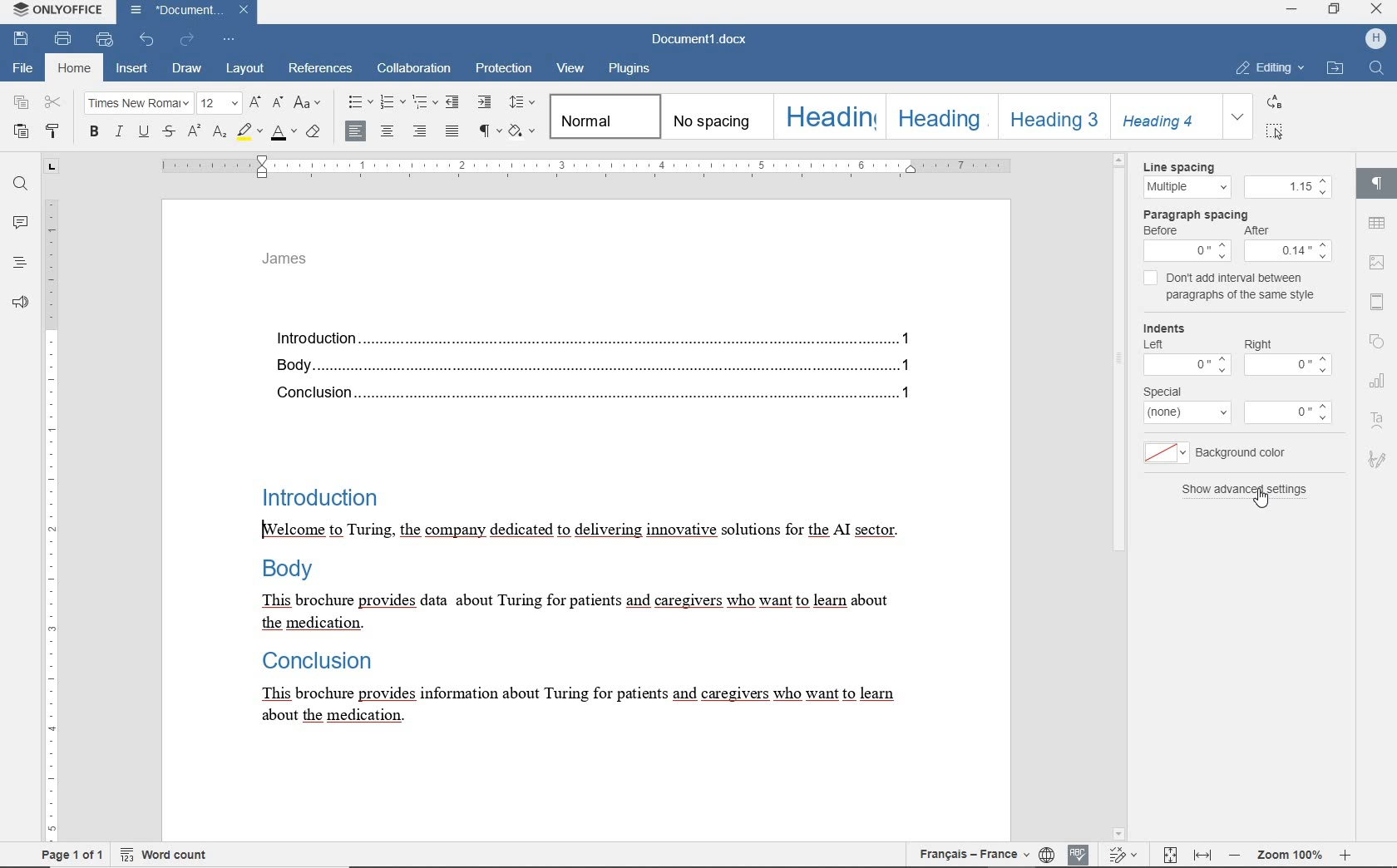  Describe the element at coordinates (522, 102) in the screenshot. I see `paragraph line spacing` at that location.